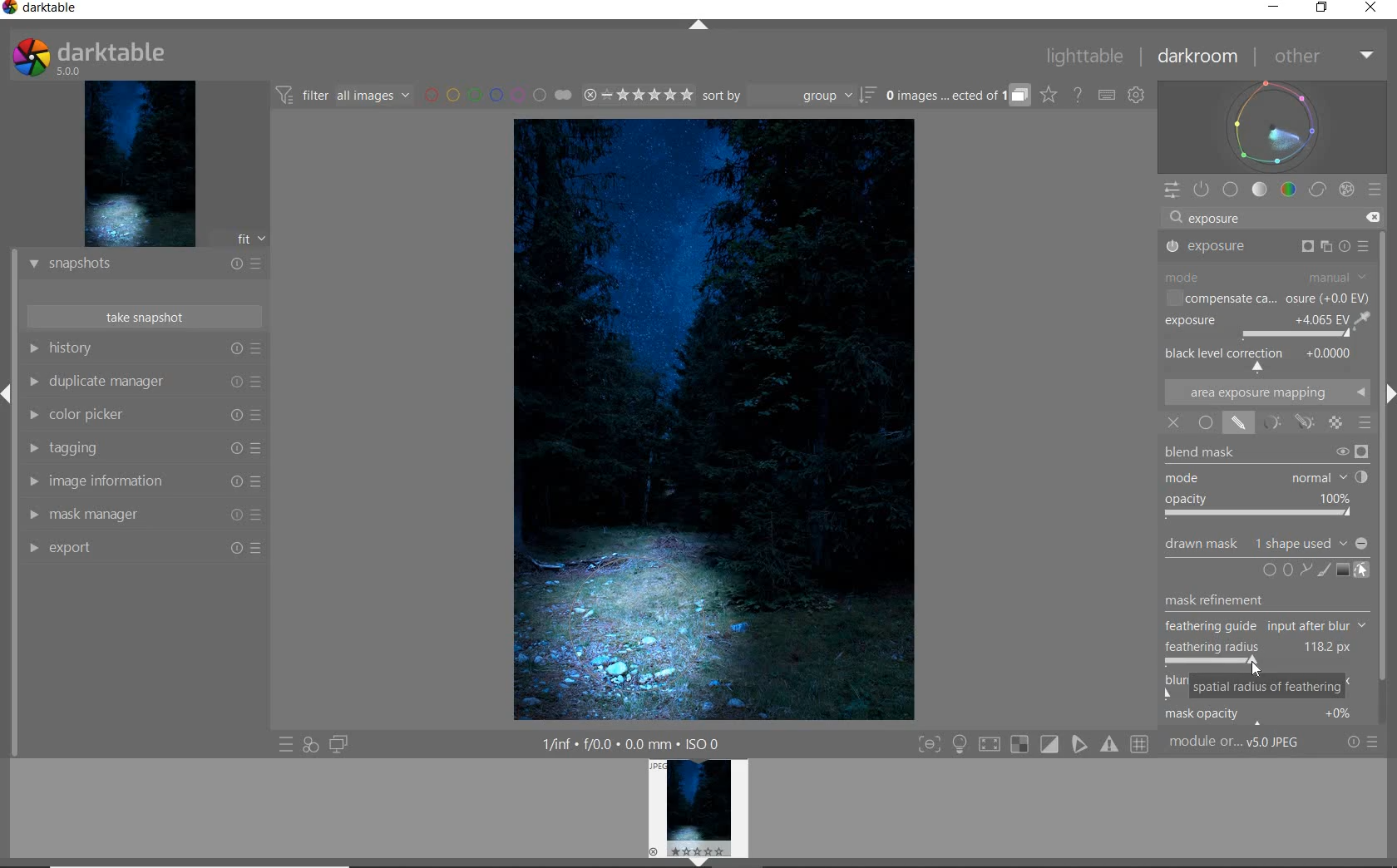  I want to click on MASK MANAGER, so click(142, 515).